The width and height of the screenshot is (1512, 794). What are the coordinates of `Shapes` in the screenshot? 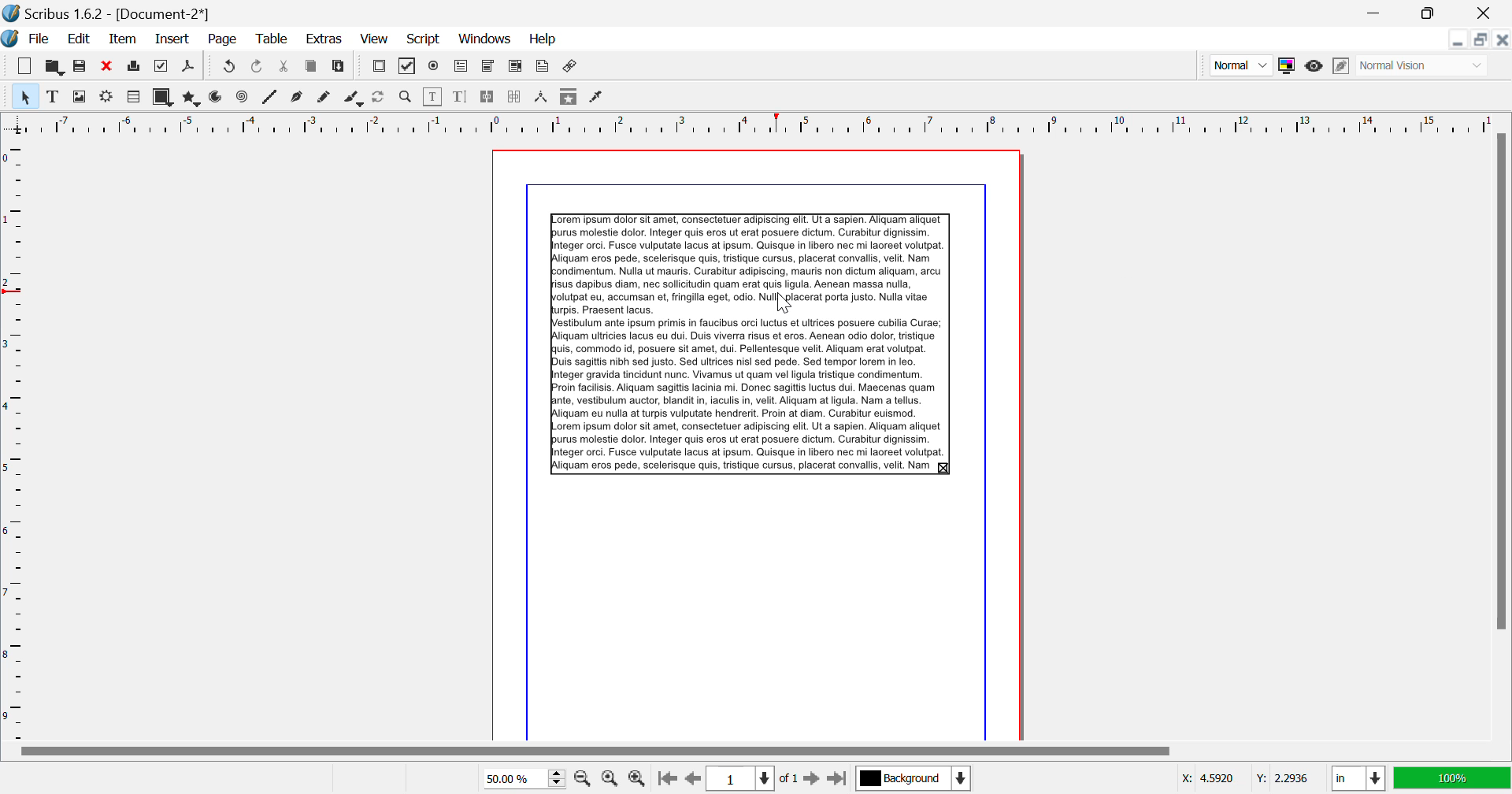 It's located at (162, 97).